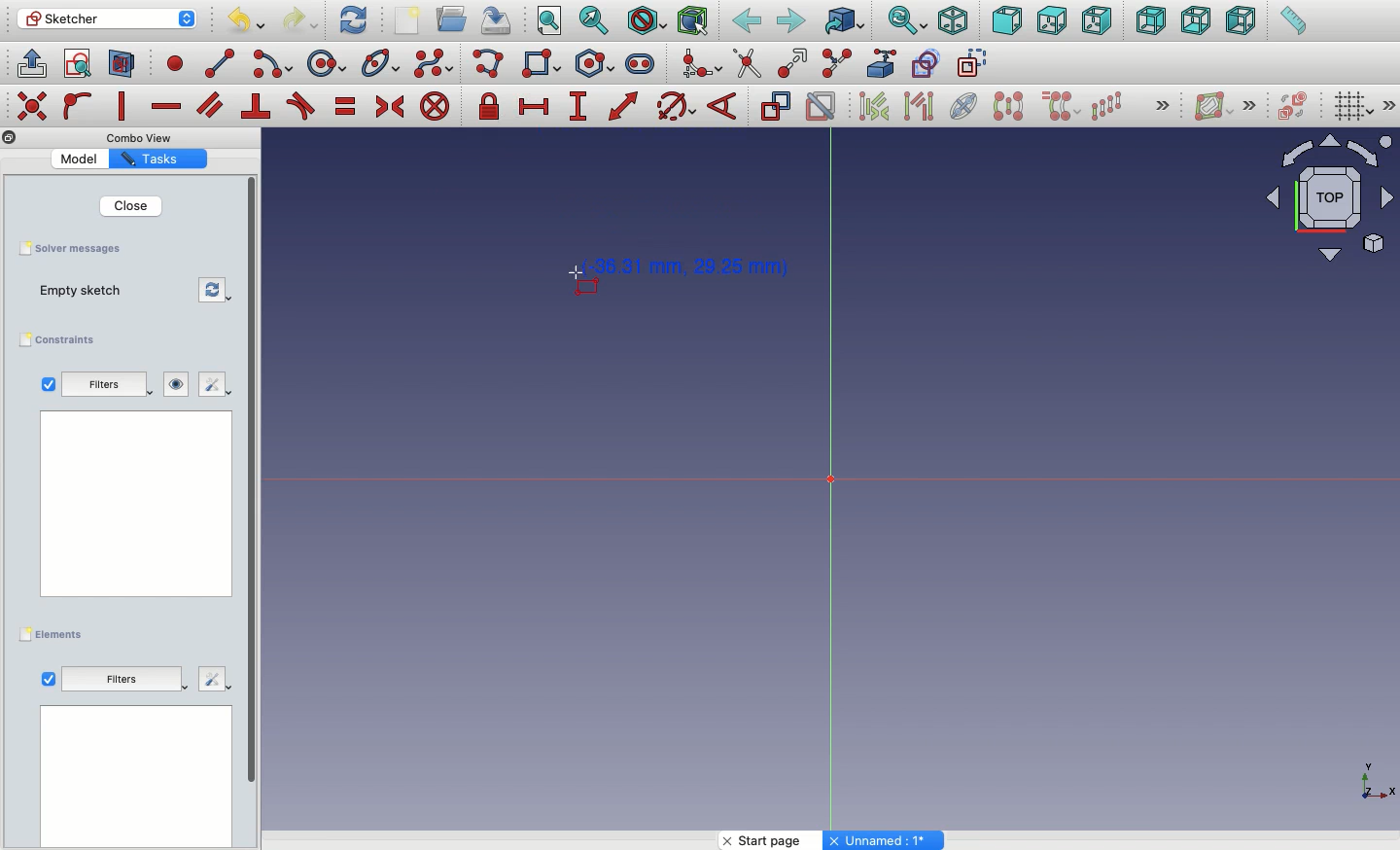 This screenshot has height=850, width=1400. I want to click on arc, so click(274, 64).